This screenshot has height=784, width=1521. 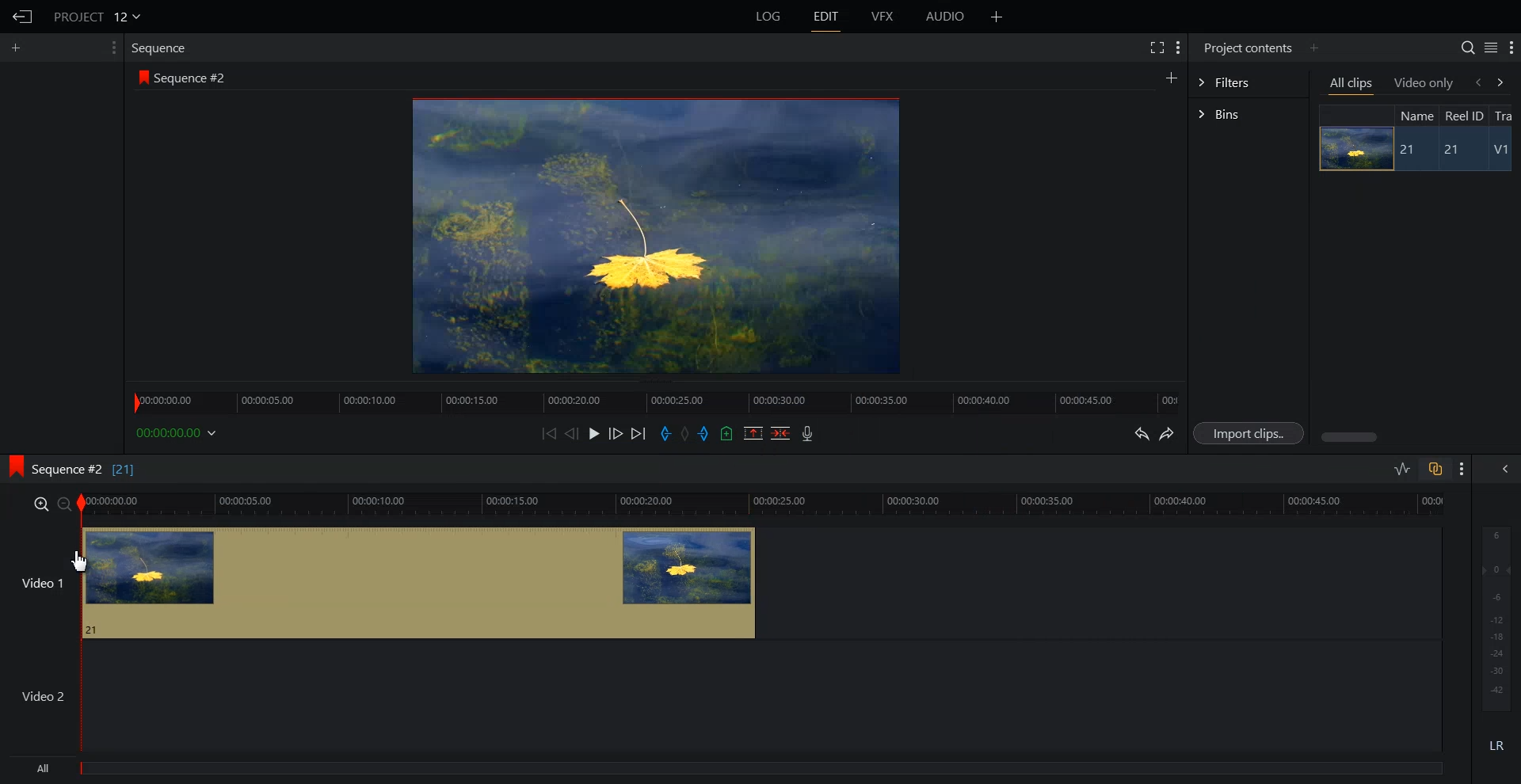 What do you see at coordinates (765, 502) in the screenshot?
I see `video time` at bounding box center [765, 502].